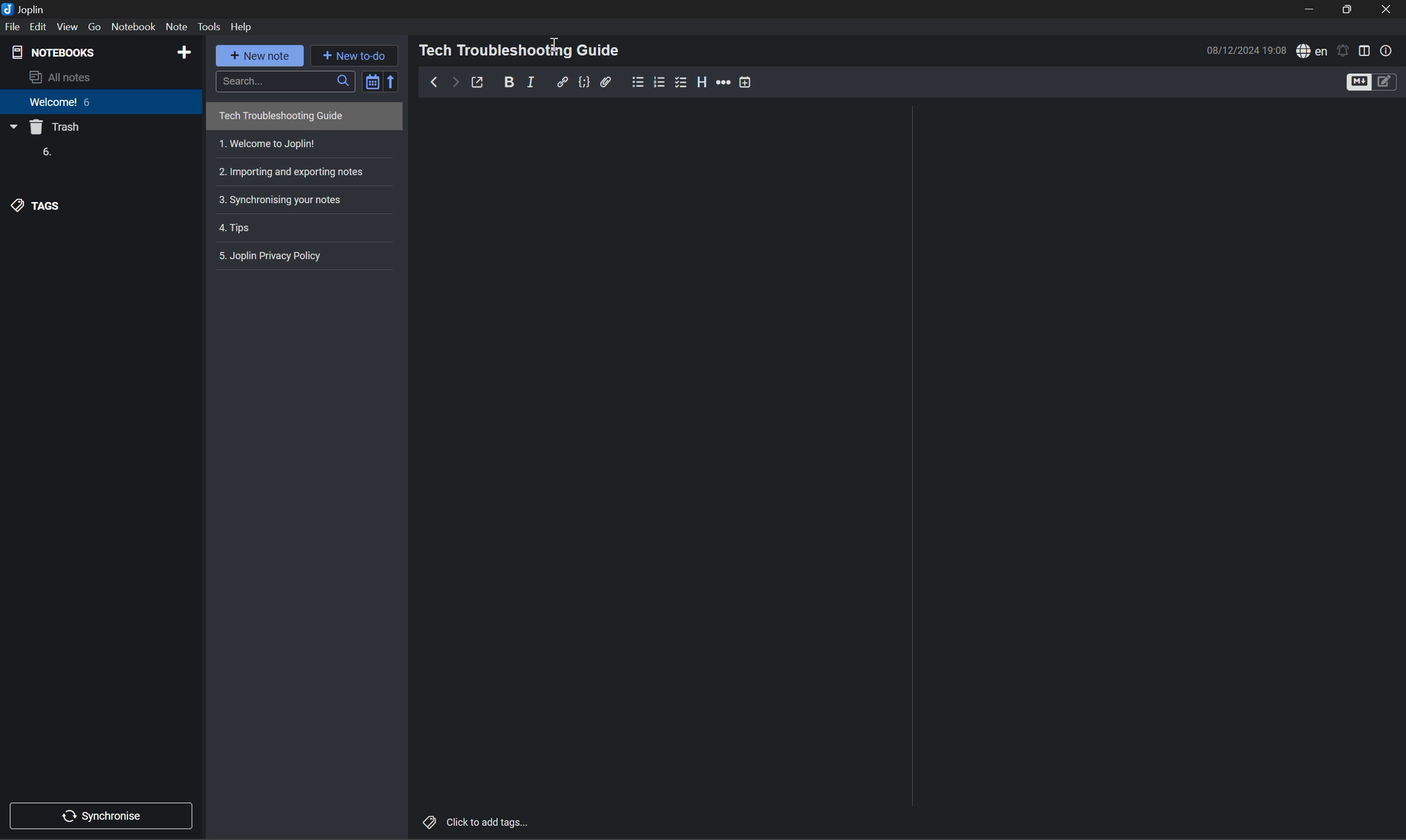  What do you see at coordinates (55, 50) in the screenshot?
I see `NOTEBOOKS` at bounding box center [55, 50].